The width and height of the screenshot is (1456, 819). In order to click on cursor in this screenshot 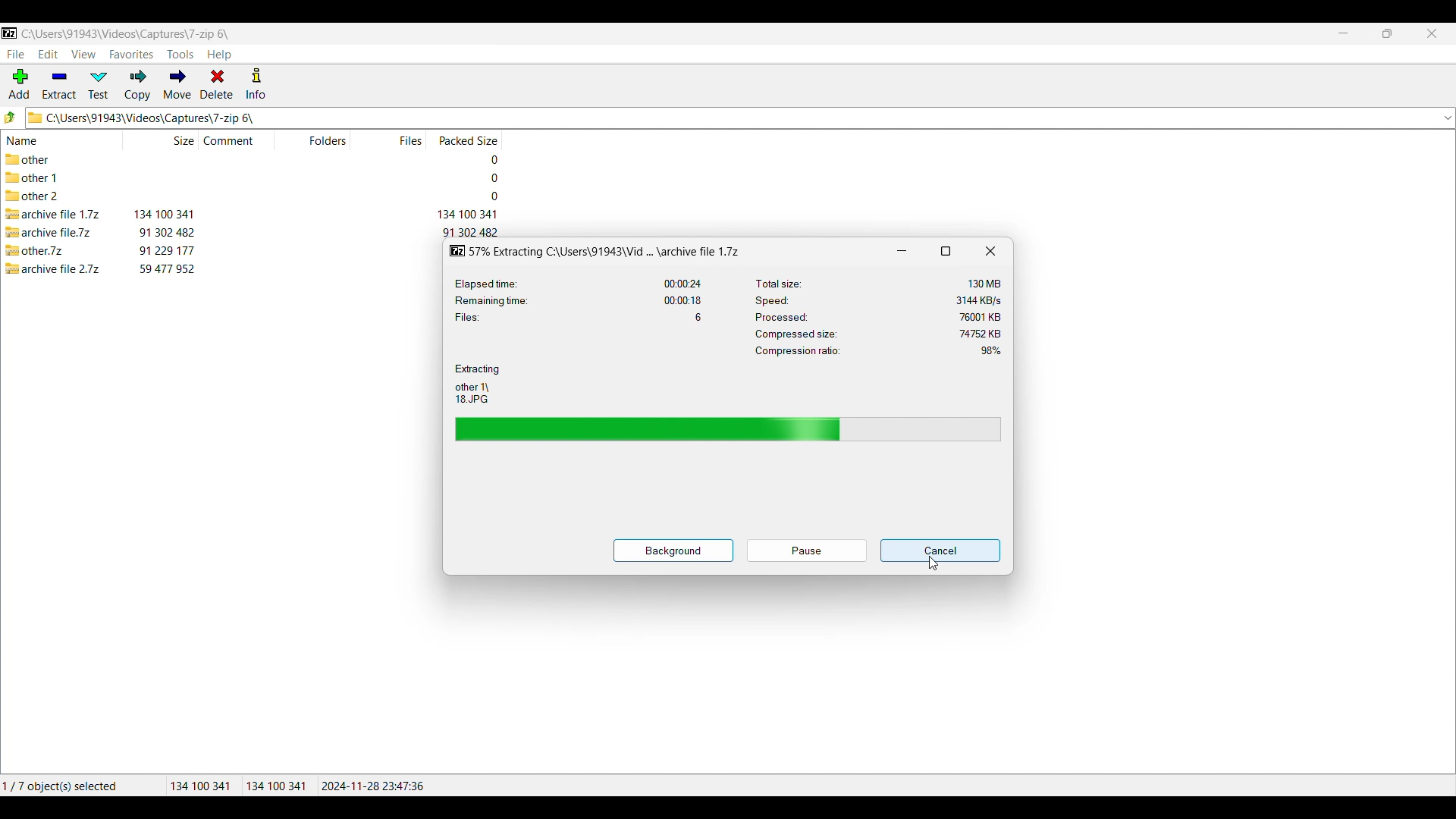, I will do `click(934, 565)`.